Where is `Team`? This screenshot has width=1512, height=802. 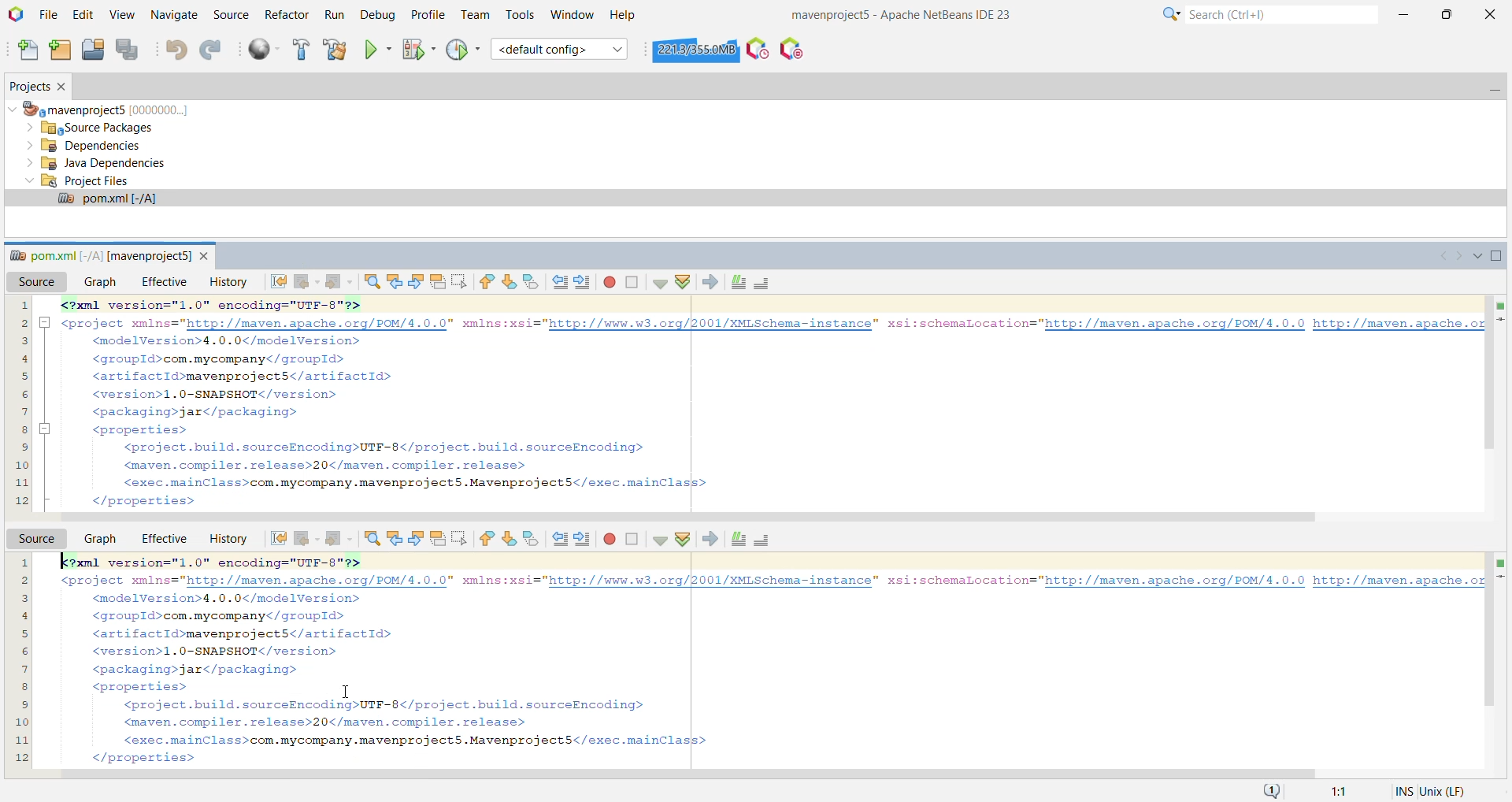 Team is located at coordinates (473, 15).